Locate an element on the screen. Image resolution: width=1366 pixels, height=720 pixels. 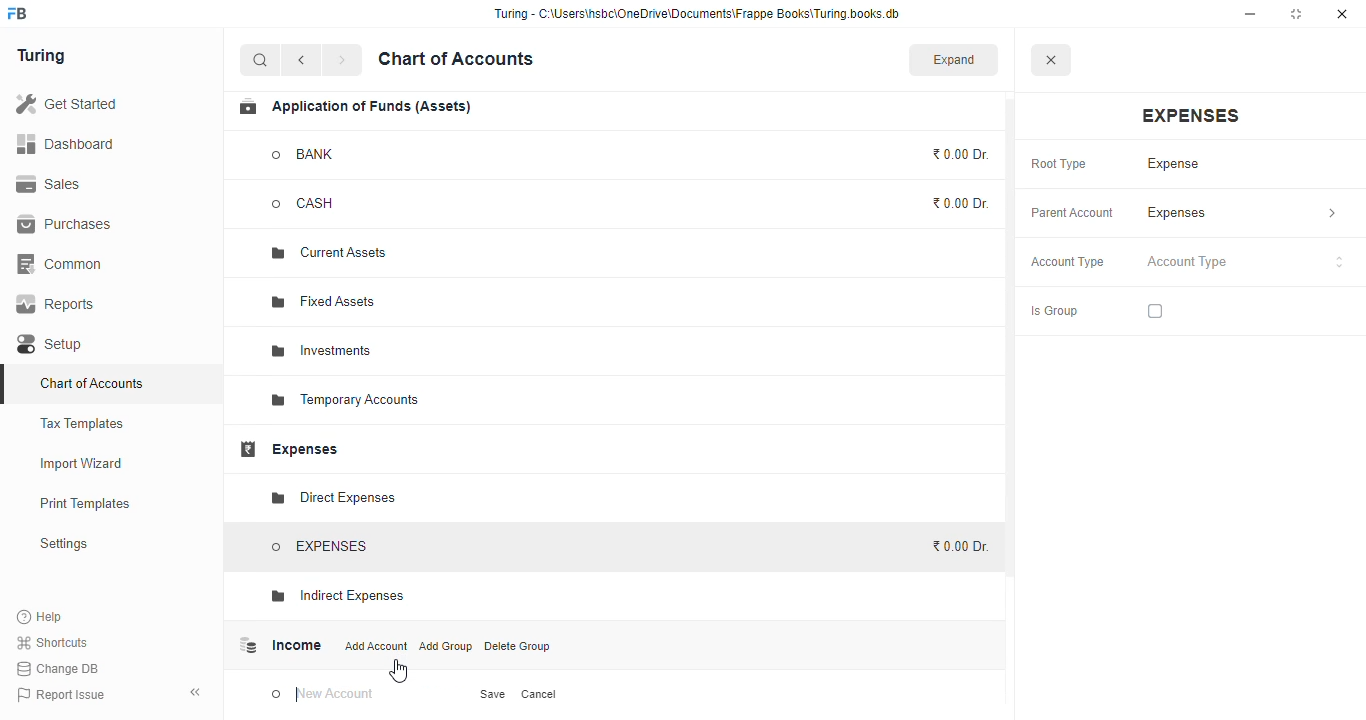
tax templates is located at coordinates (83, 423).